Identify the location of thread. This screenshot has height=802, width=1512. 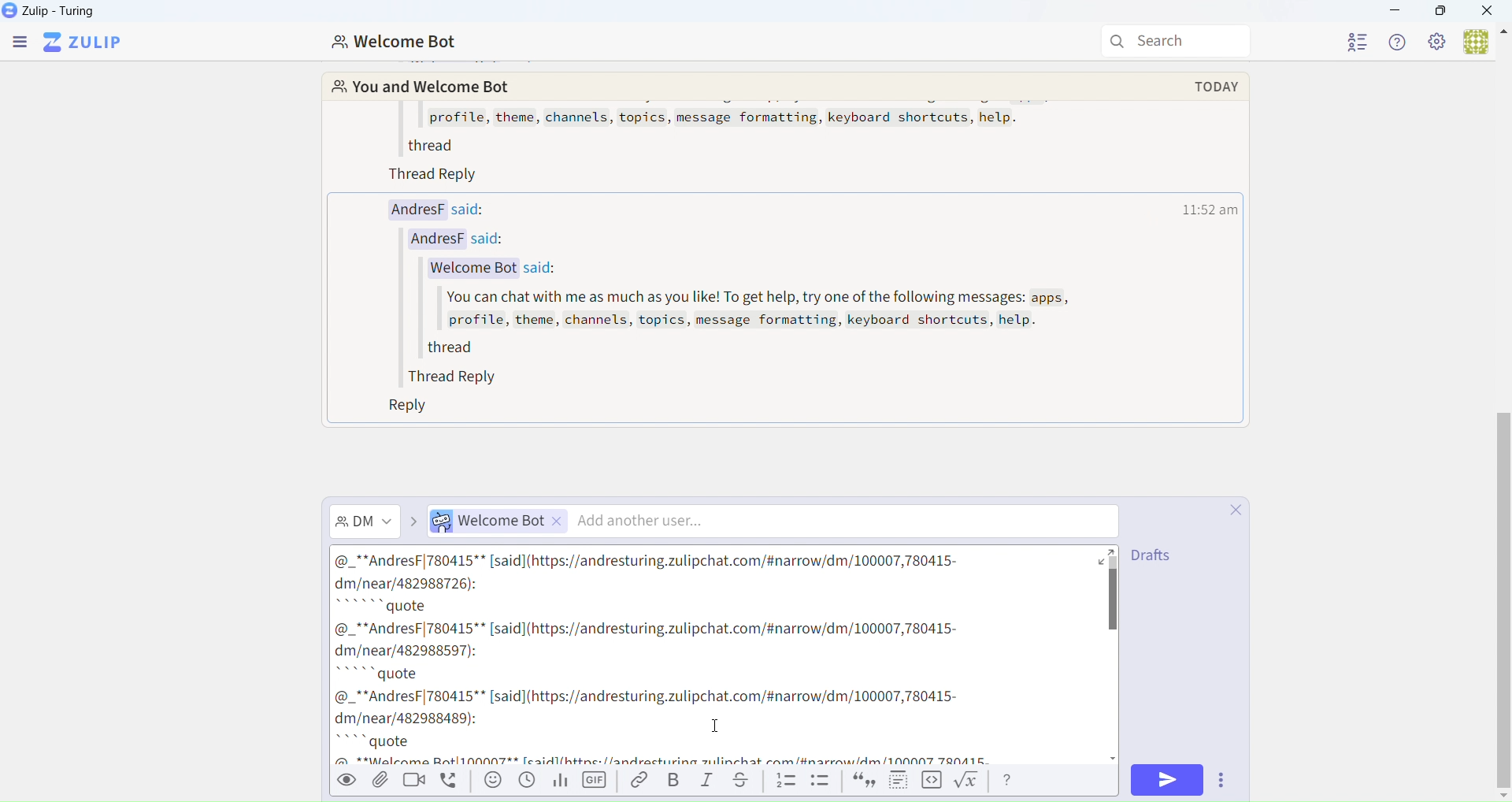
(426, 144).